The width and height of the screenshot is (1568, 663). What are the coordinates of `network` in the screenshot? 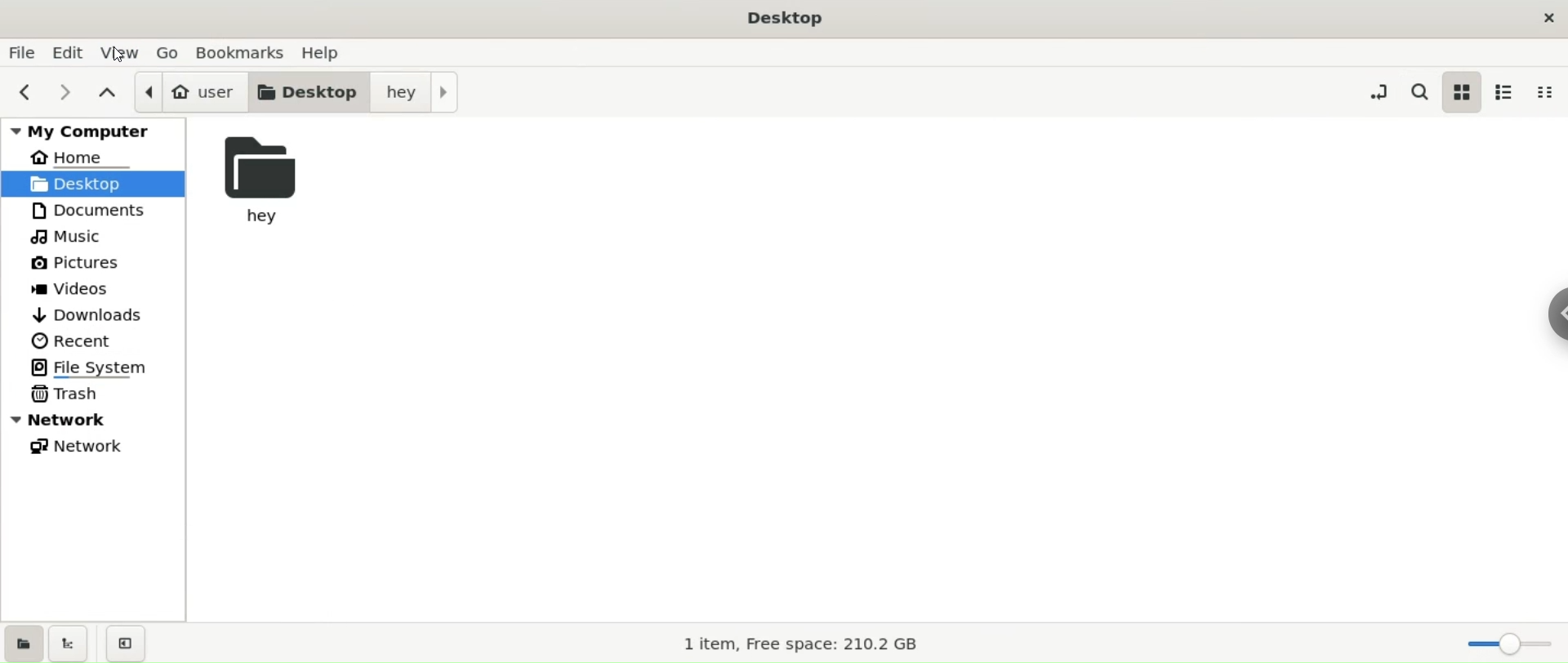 It's located at (103, 448).